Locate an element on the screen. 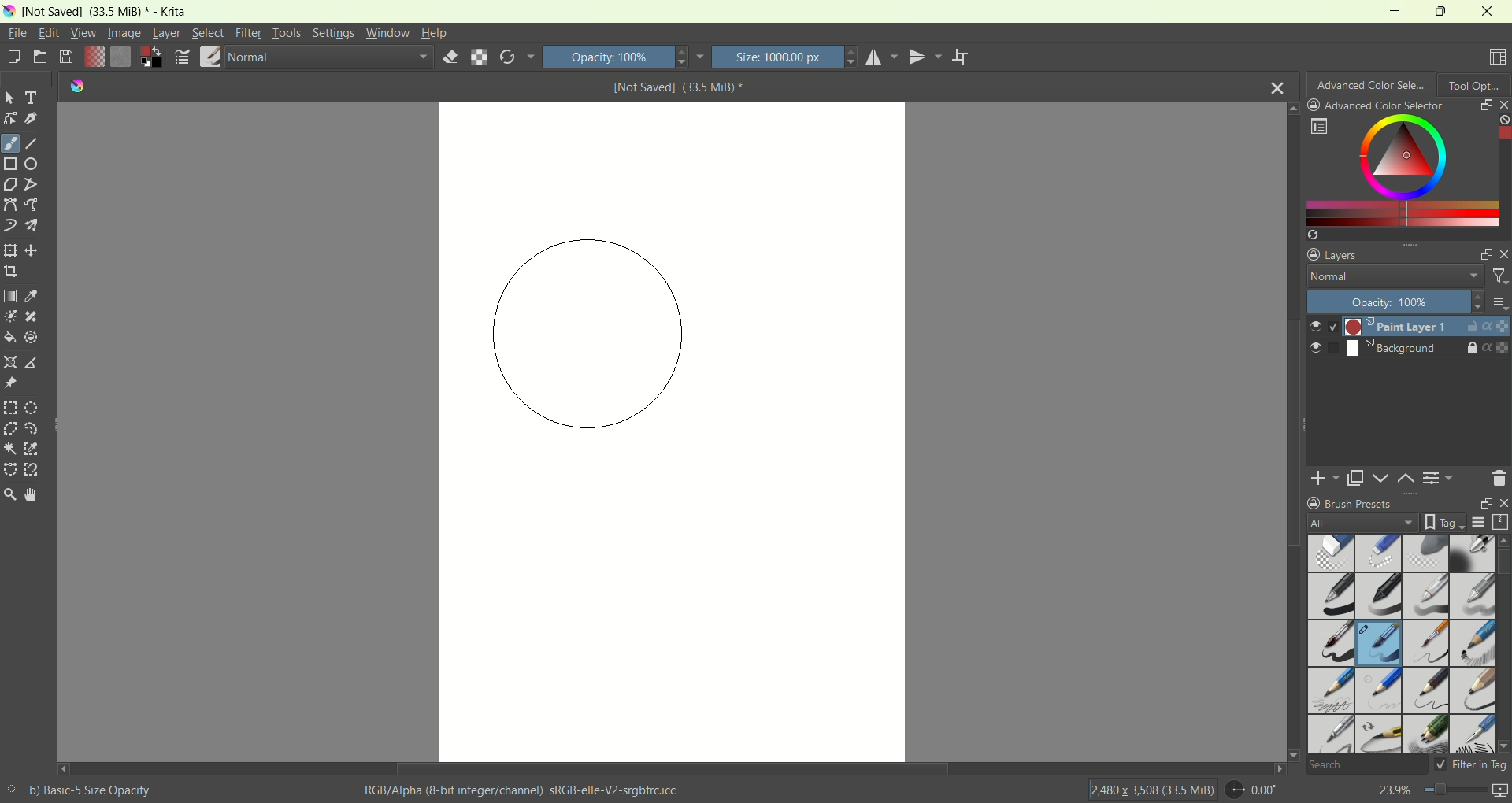  view is located at coordinates (82, 33).